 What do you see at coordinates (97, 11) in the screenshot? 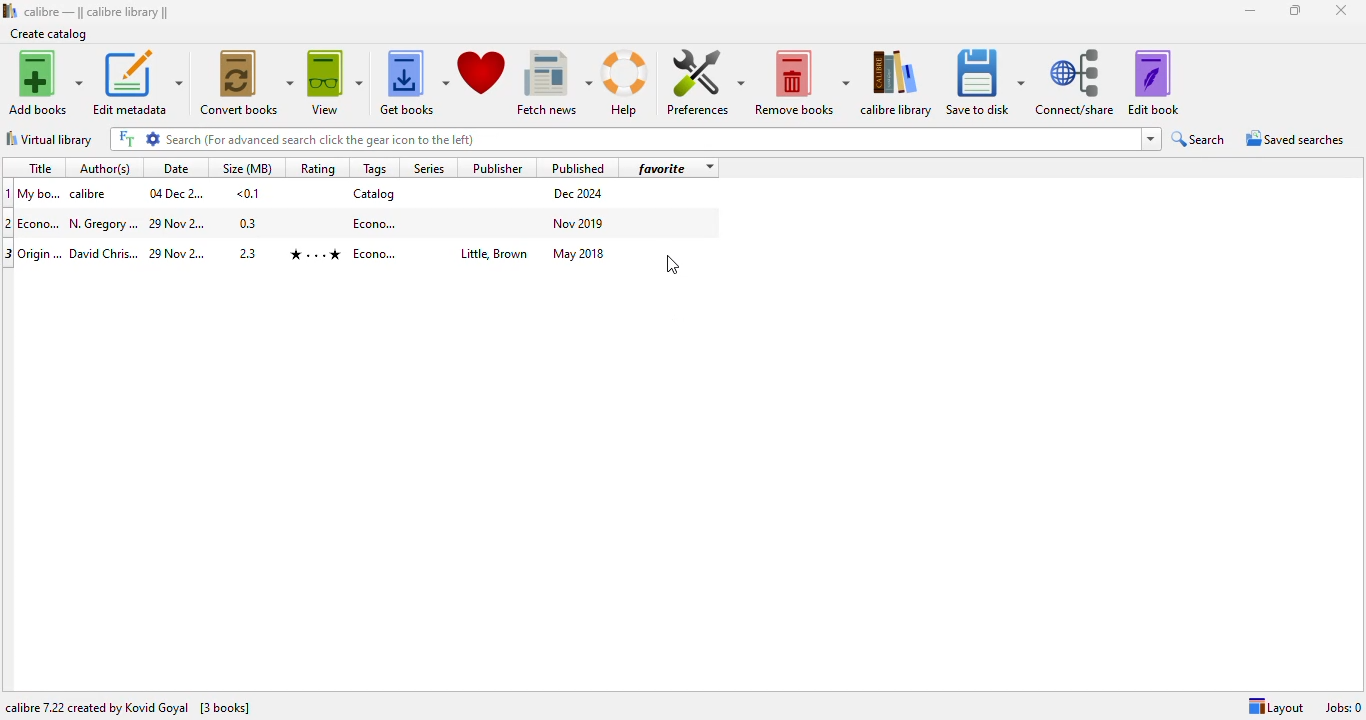
I see `calibre library` at bounding box center [97, 11].